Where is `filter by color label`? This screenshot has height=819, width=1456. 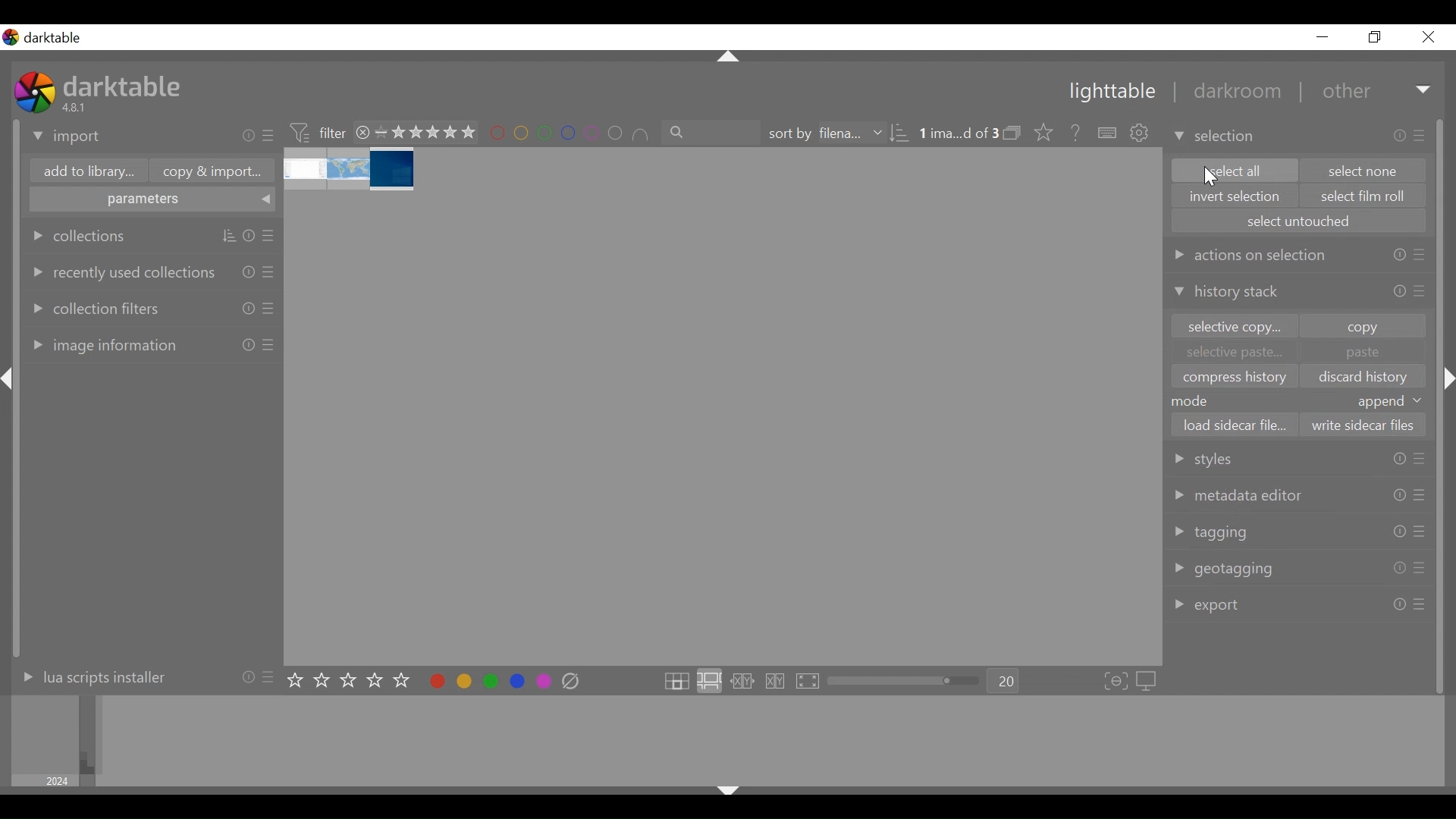
filter by color label is located at coordinates (570, 134).